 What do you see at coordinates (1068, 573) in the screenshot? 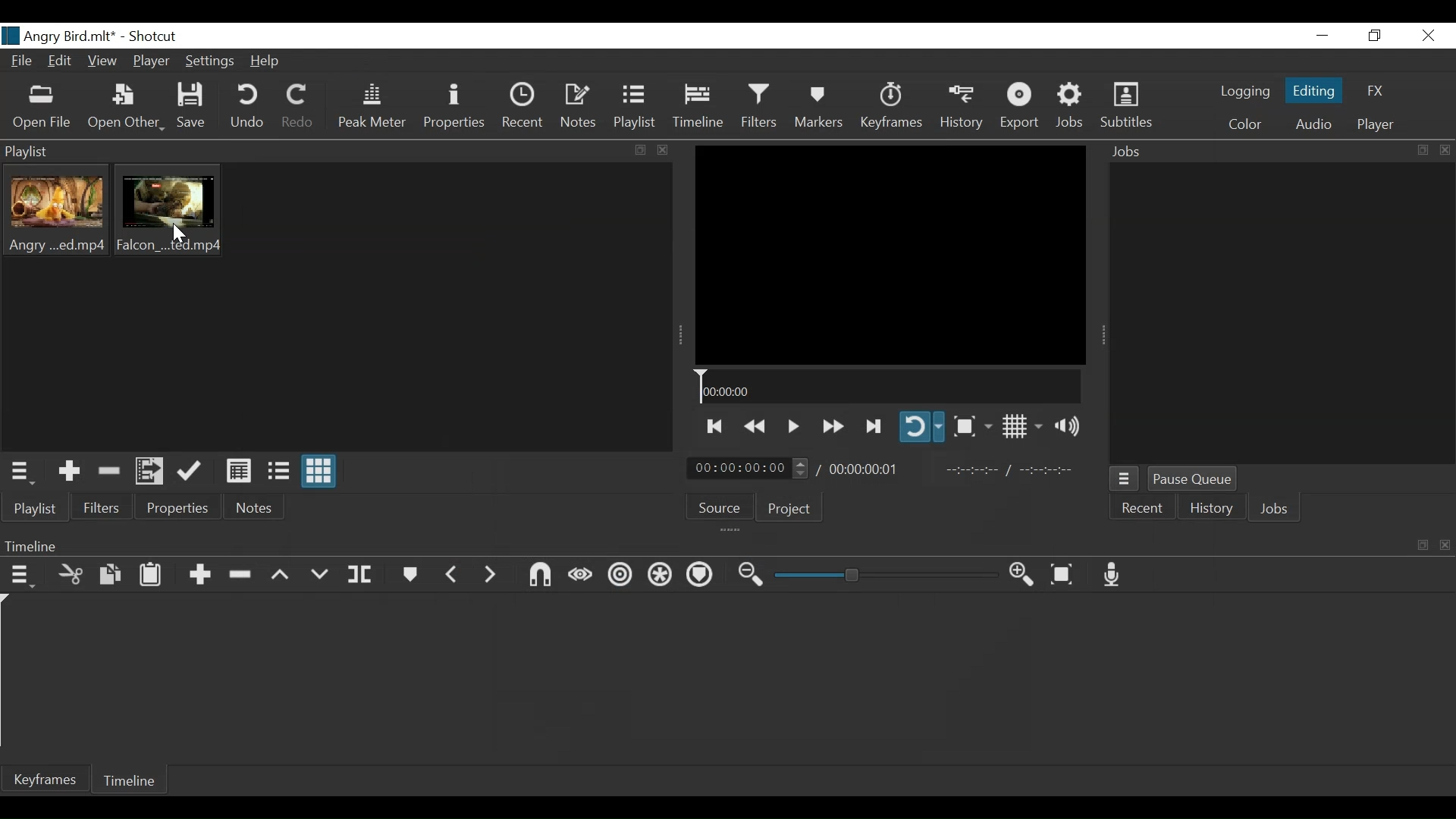
I see `Zoom timeline to fit` at bounding box center [1068, 573].